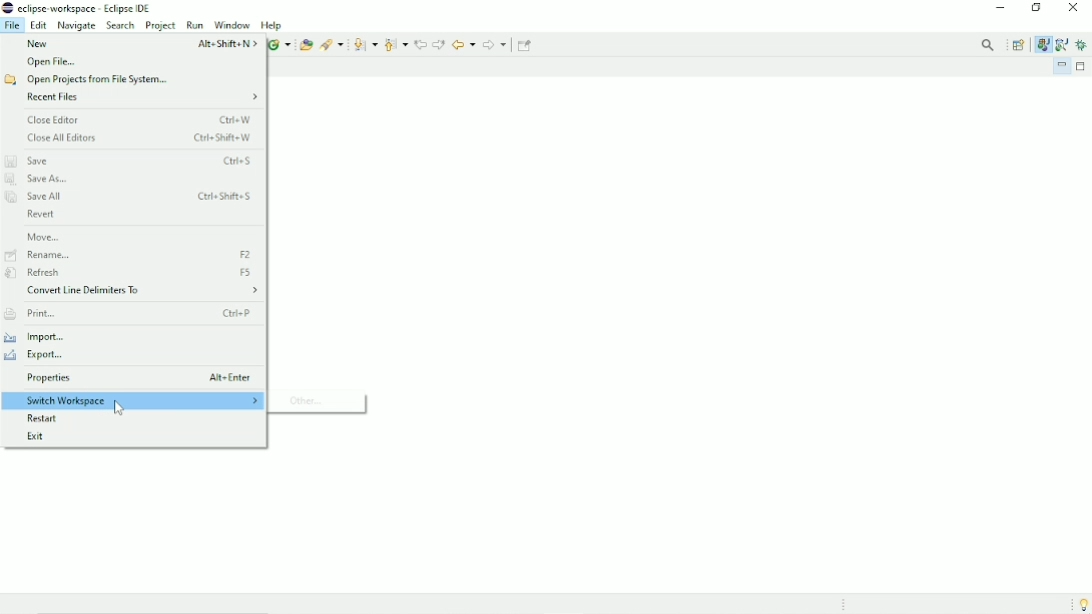 Image resolution: width=1092 pixels, height=614 pixels. What do you see at coordinates (134, 273) in the screenshot?
I see `Refresh` at bounding box center [134, 273].